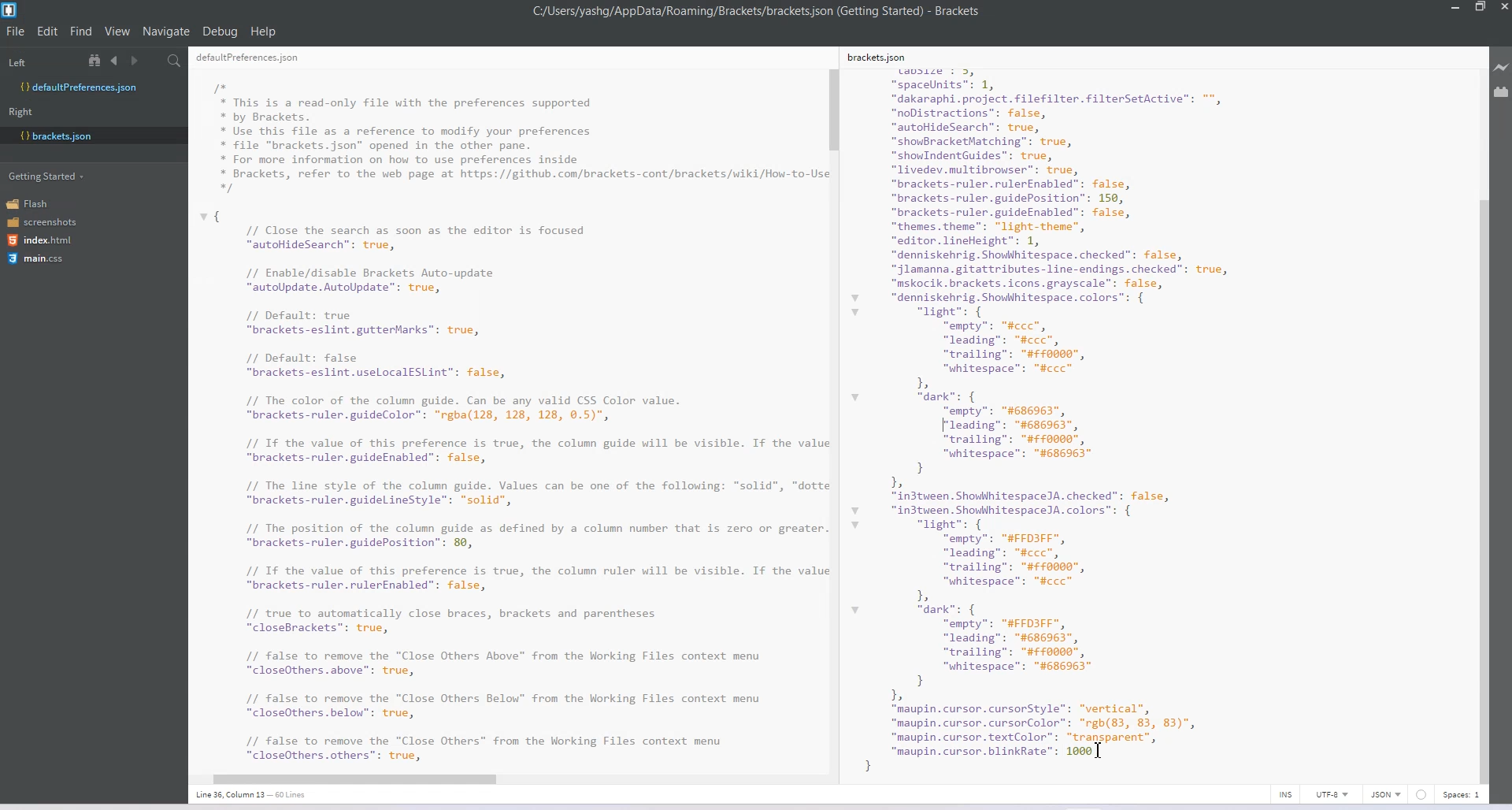  I want to click on Defaultpreferences.json, so click(93, 87).